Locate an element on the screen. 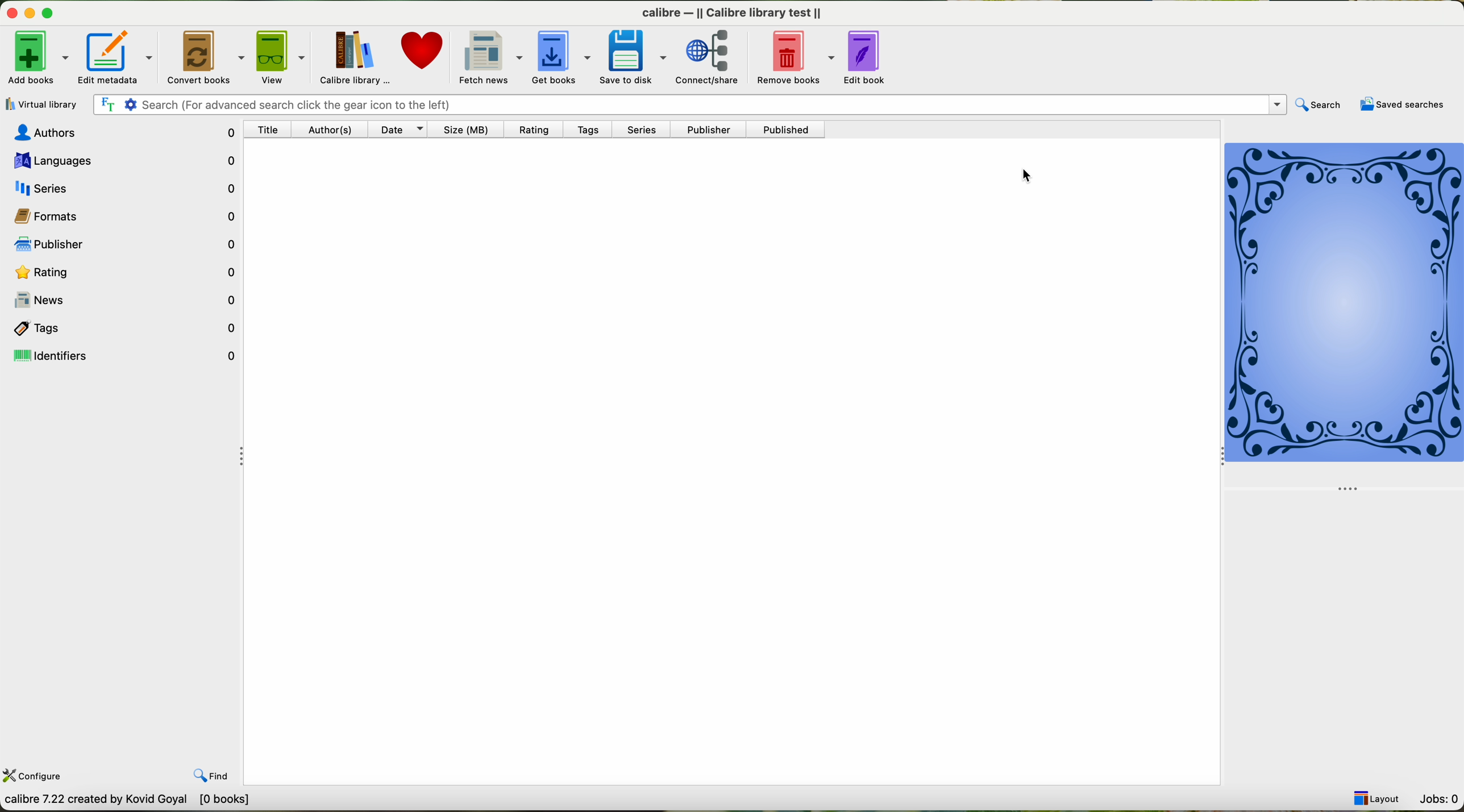 This screenshot has width=1464, height=812. connect/share is located at coordinates (705, 56).